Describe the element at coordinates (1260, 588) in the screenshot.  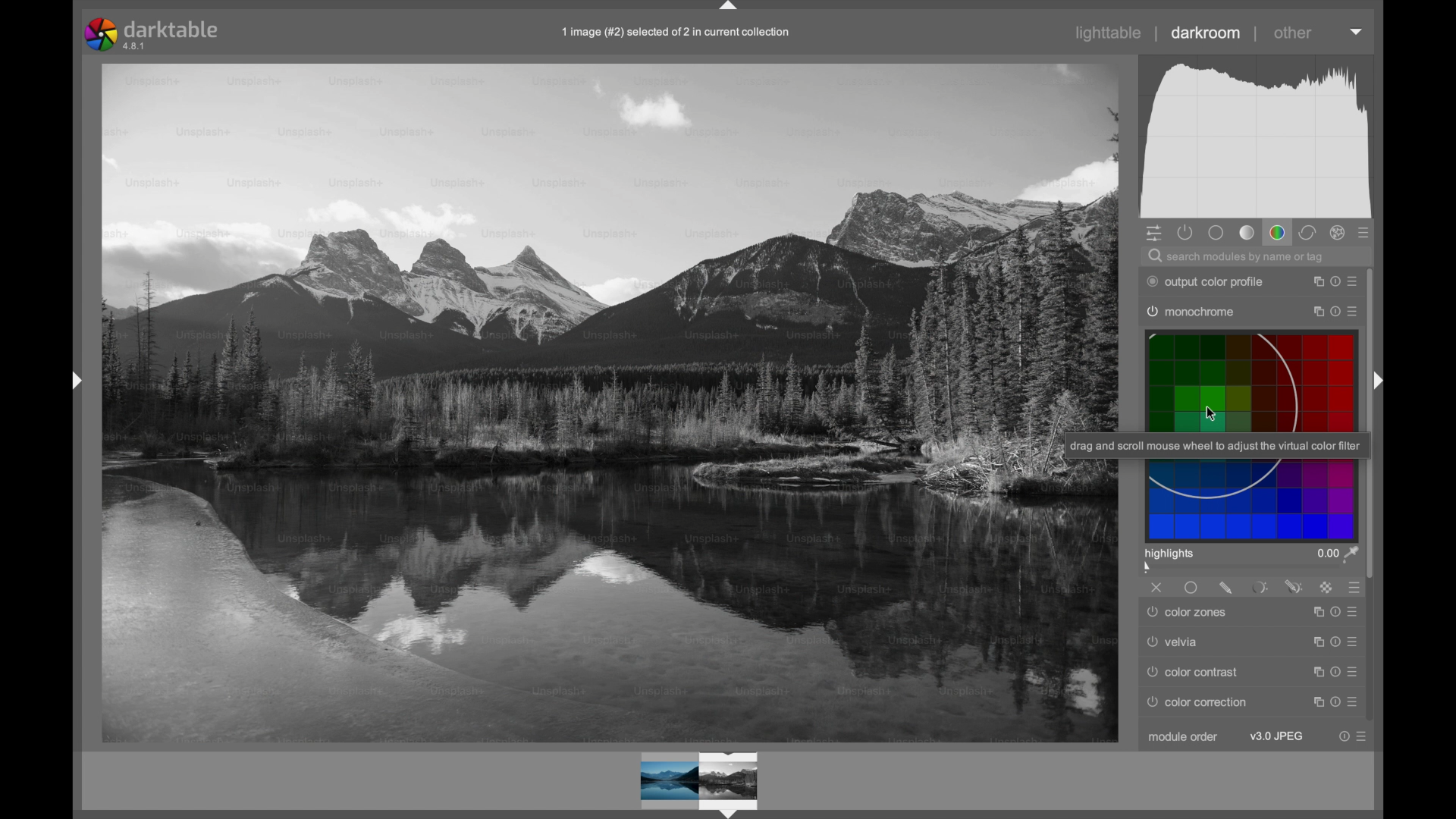
I see `parametric mask` at that location.